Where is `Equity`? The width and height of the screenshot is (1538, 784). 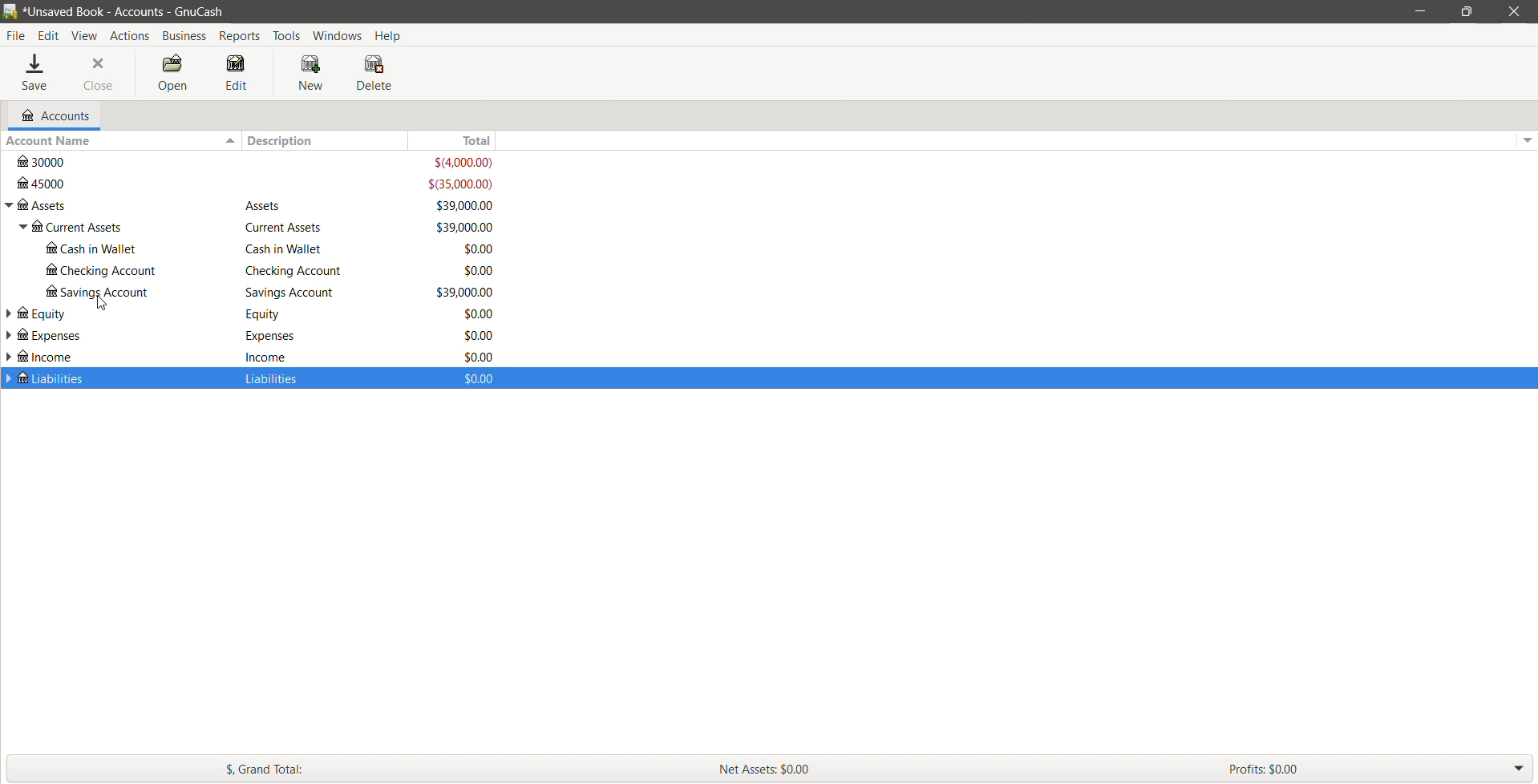 Equity is located at coordinates (275, 313).